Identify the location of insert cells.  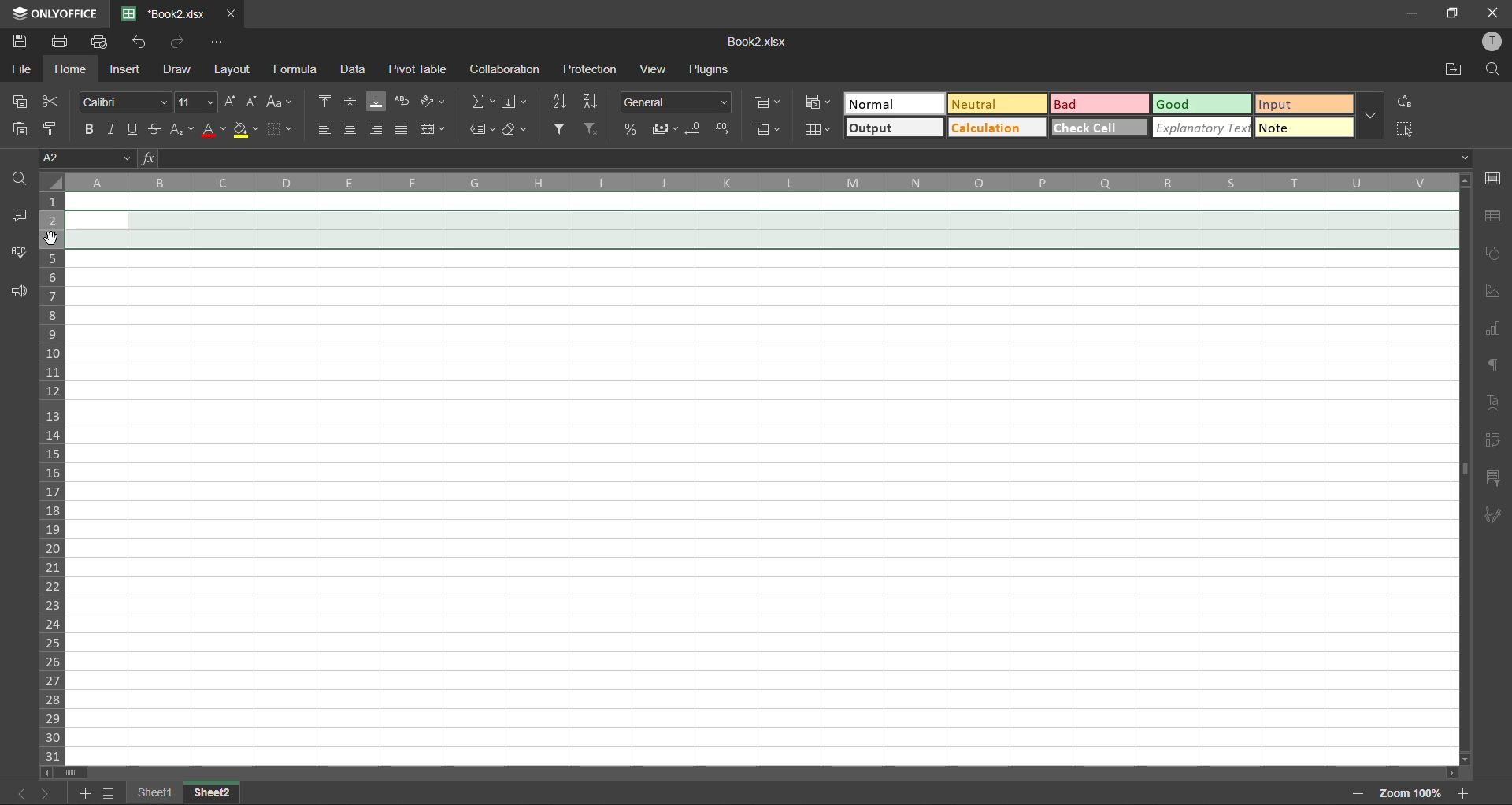
(769, 101).